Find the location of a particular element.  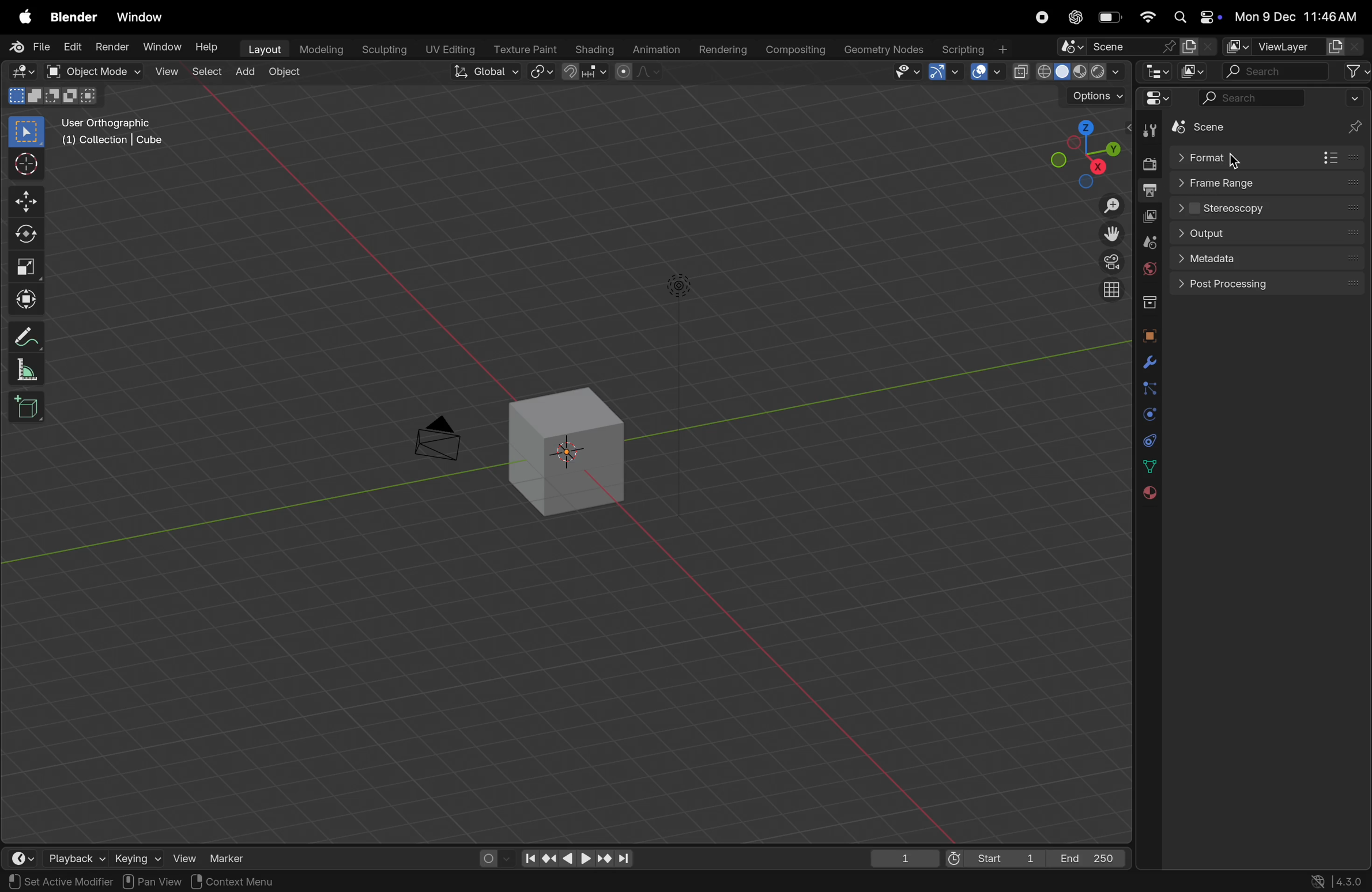

date is located at coordinates (1147, 466).